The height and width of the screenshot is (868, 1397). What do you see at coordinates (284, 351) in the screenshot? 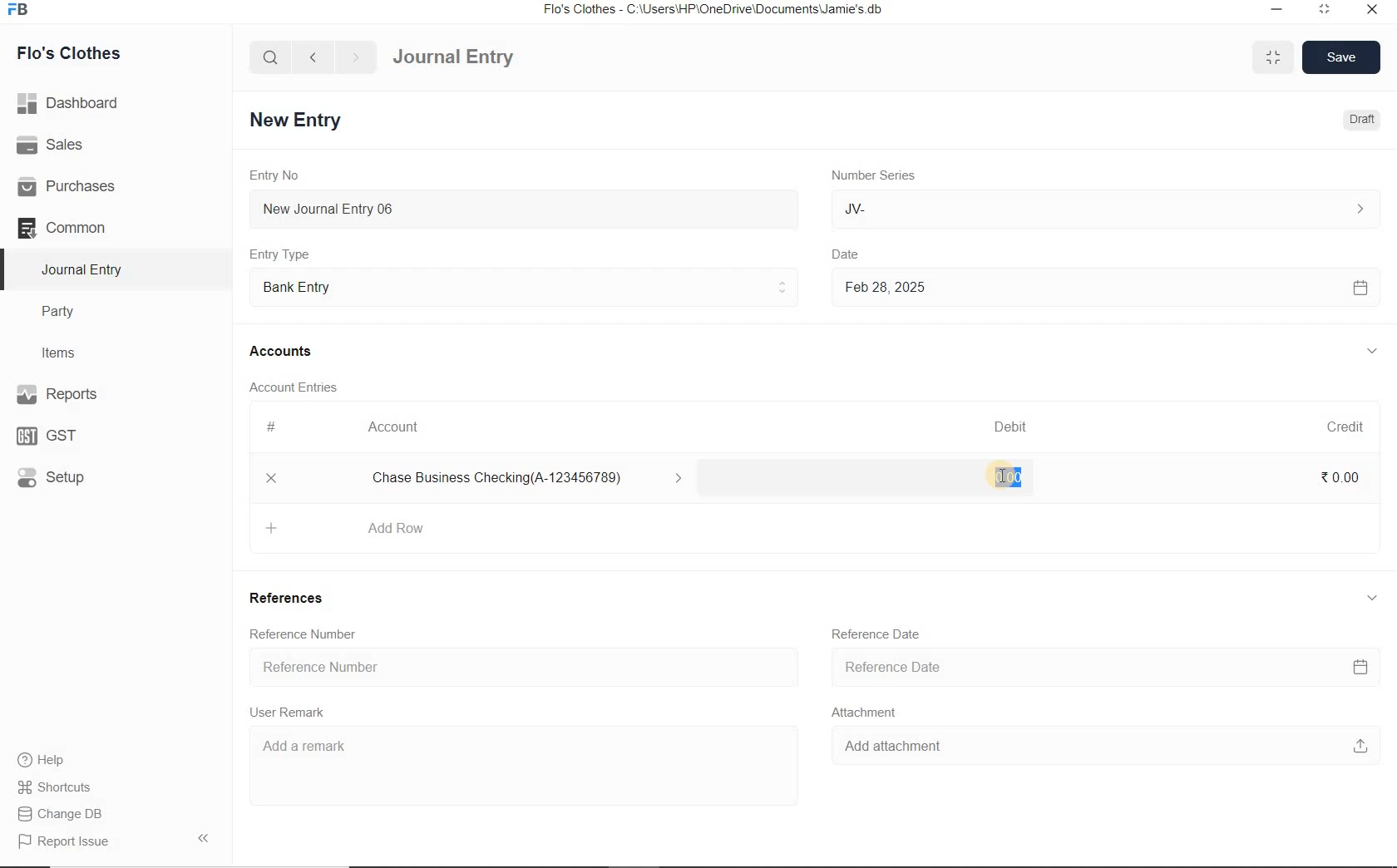
I see `Accounts` at bounding box center [284, 351].